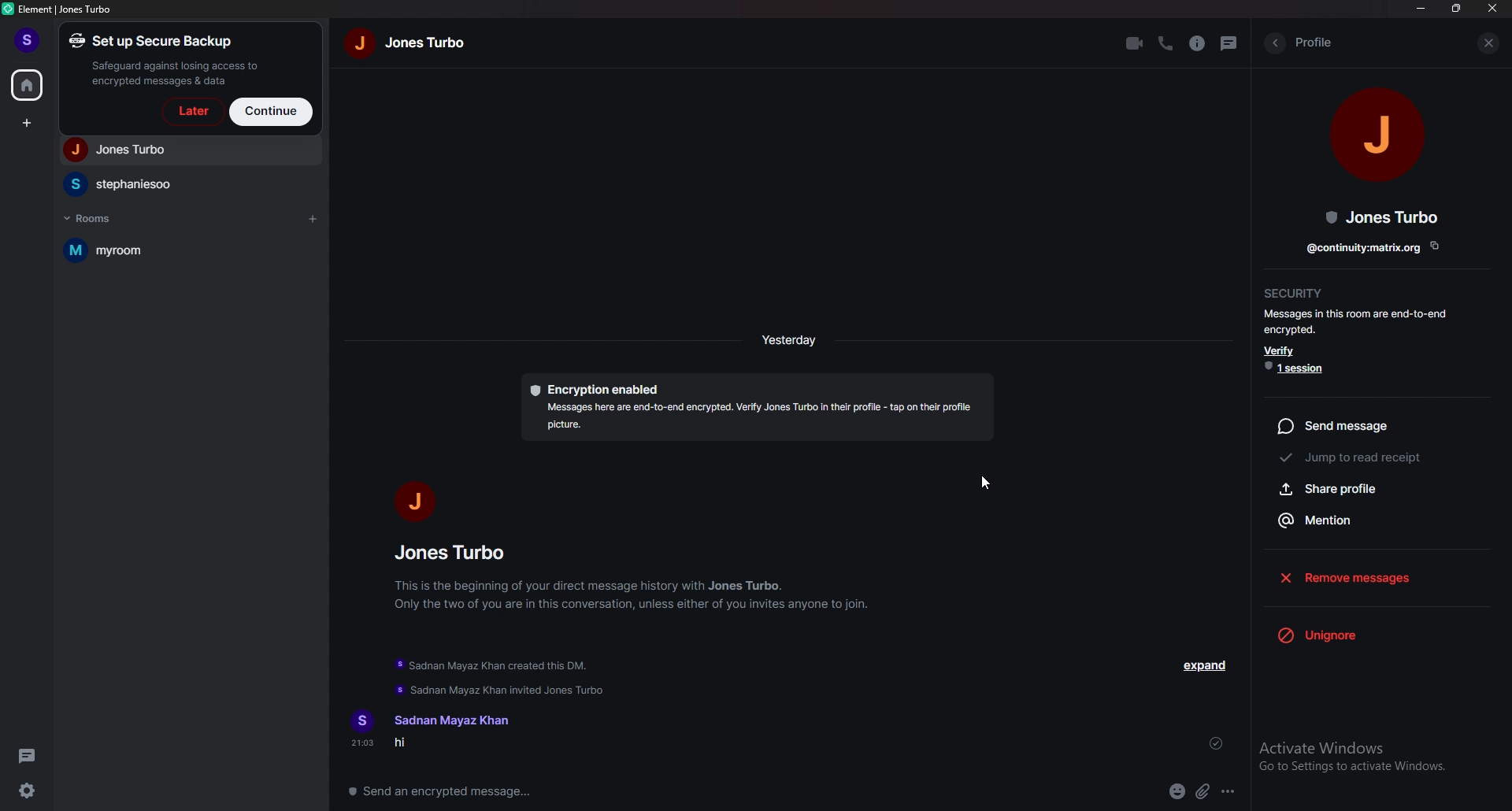 The image size is (1512, 811). Describe the element at coordinates (450, 790) in the screenshot. I see `message box` at that location.